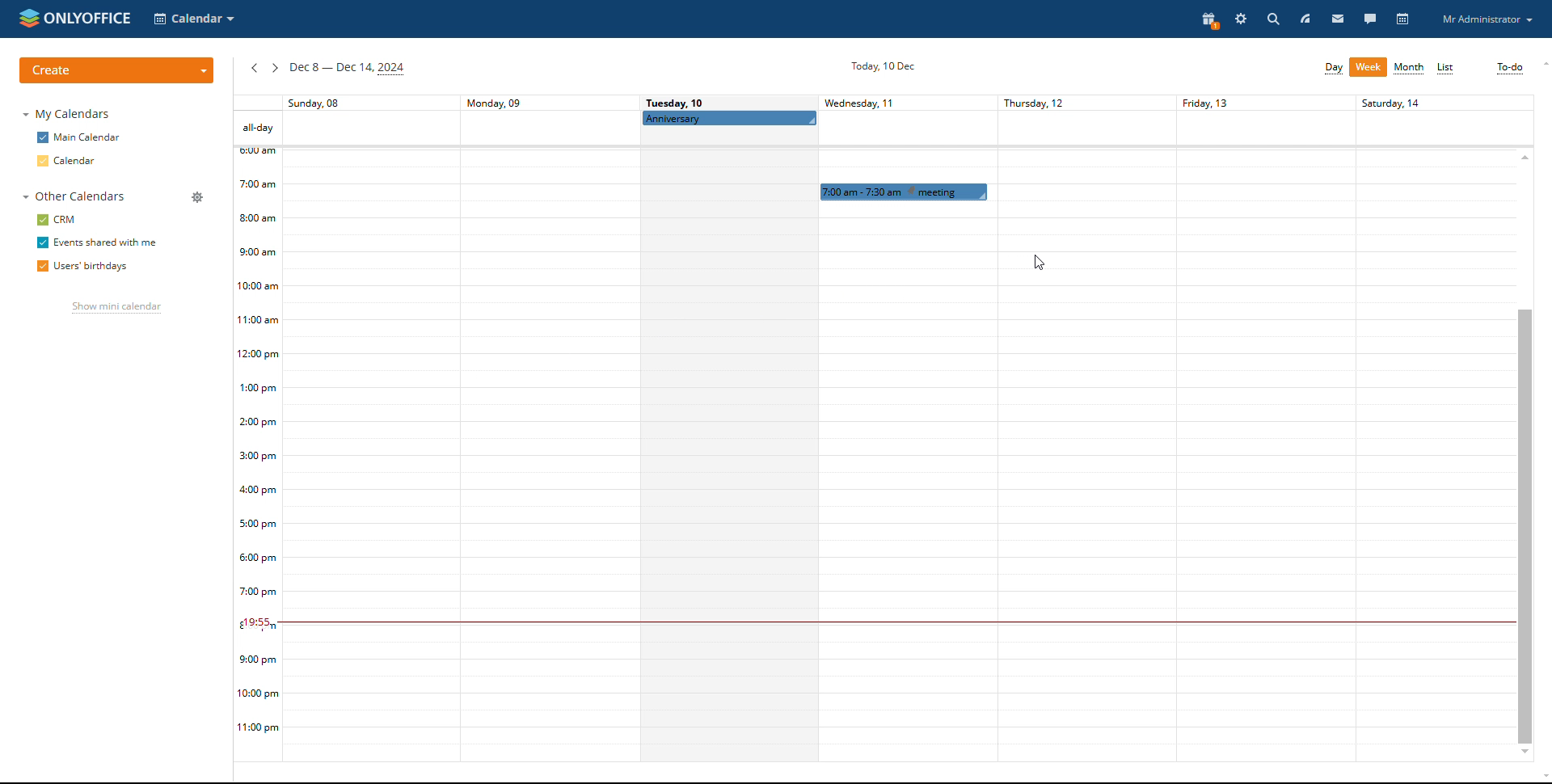 The height and width of the screenshot is (784, 1552). I want to click on week view, so click(1369, 67).